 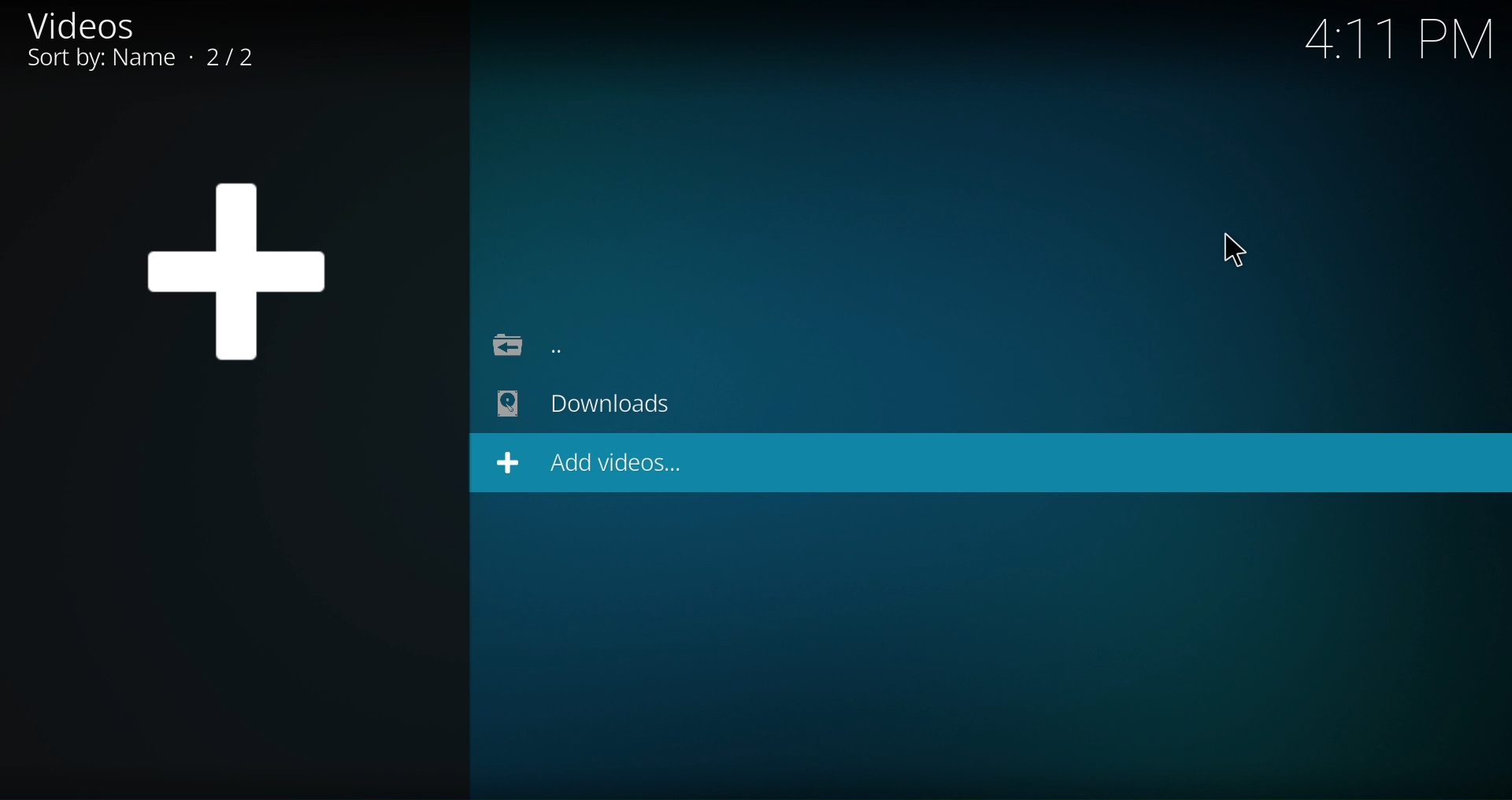 I want to click on Plus Logo, so click(x=255, y=267).